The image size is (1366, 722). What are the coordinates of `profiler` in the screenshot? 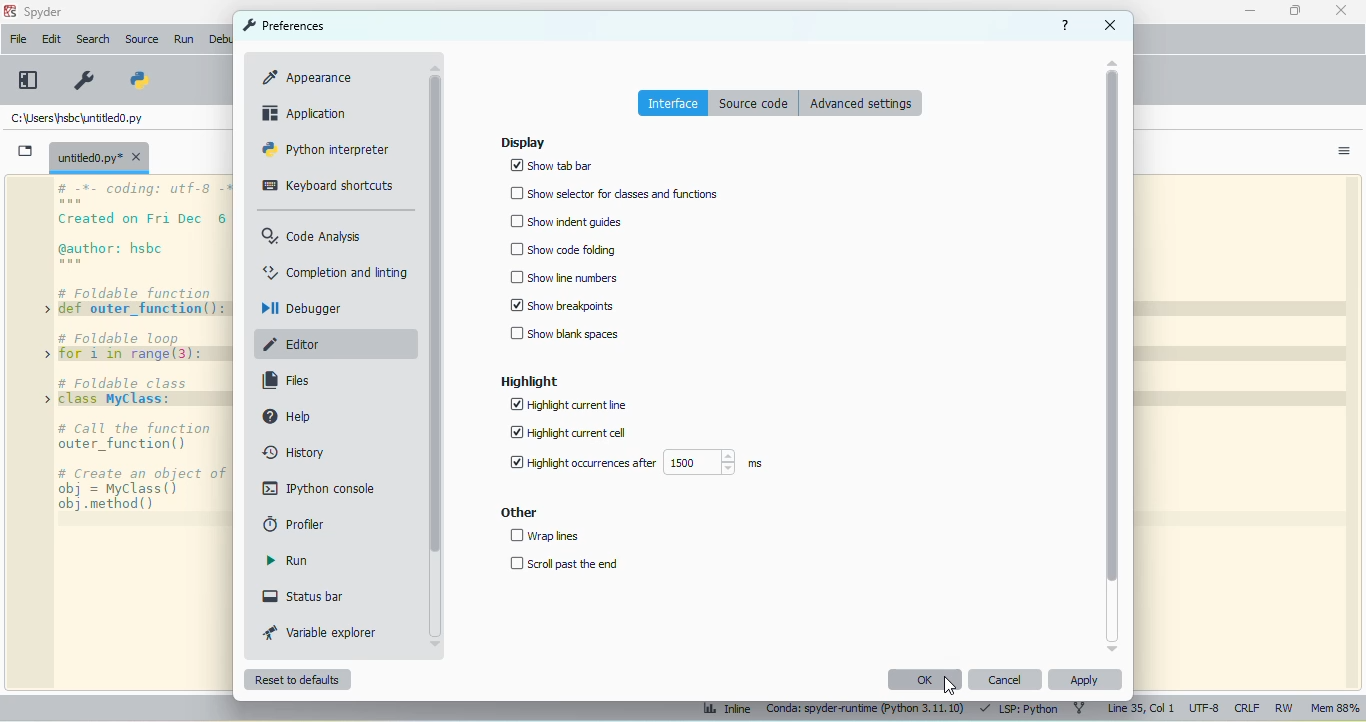 It's located at (293, 524).